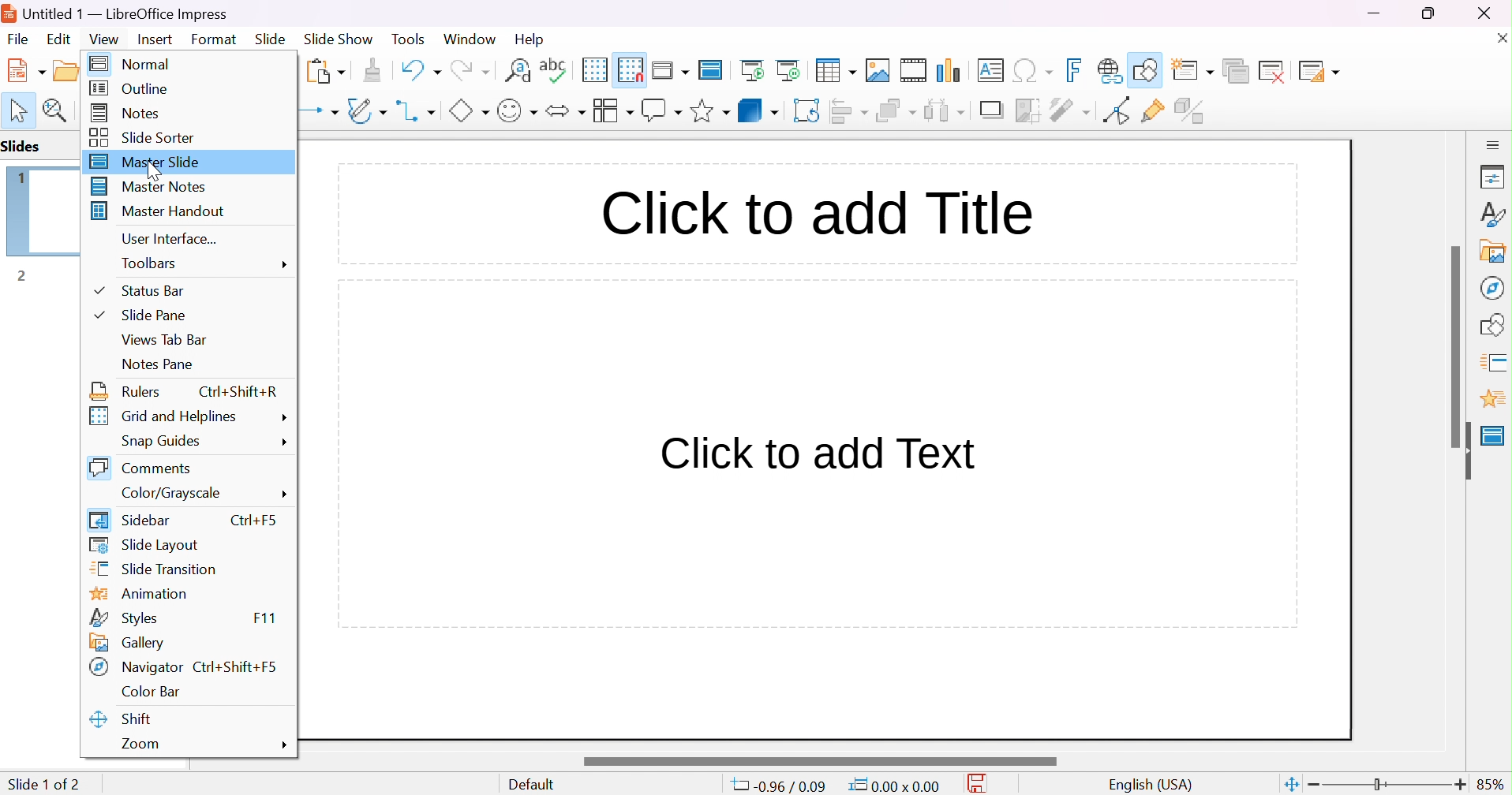 The height and width of the screenshot is (795, 1512). Describe the element at coordinates (264, 617) in the screenshot. I see `F11` at that location.